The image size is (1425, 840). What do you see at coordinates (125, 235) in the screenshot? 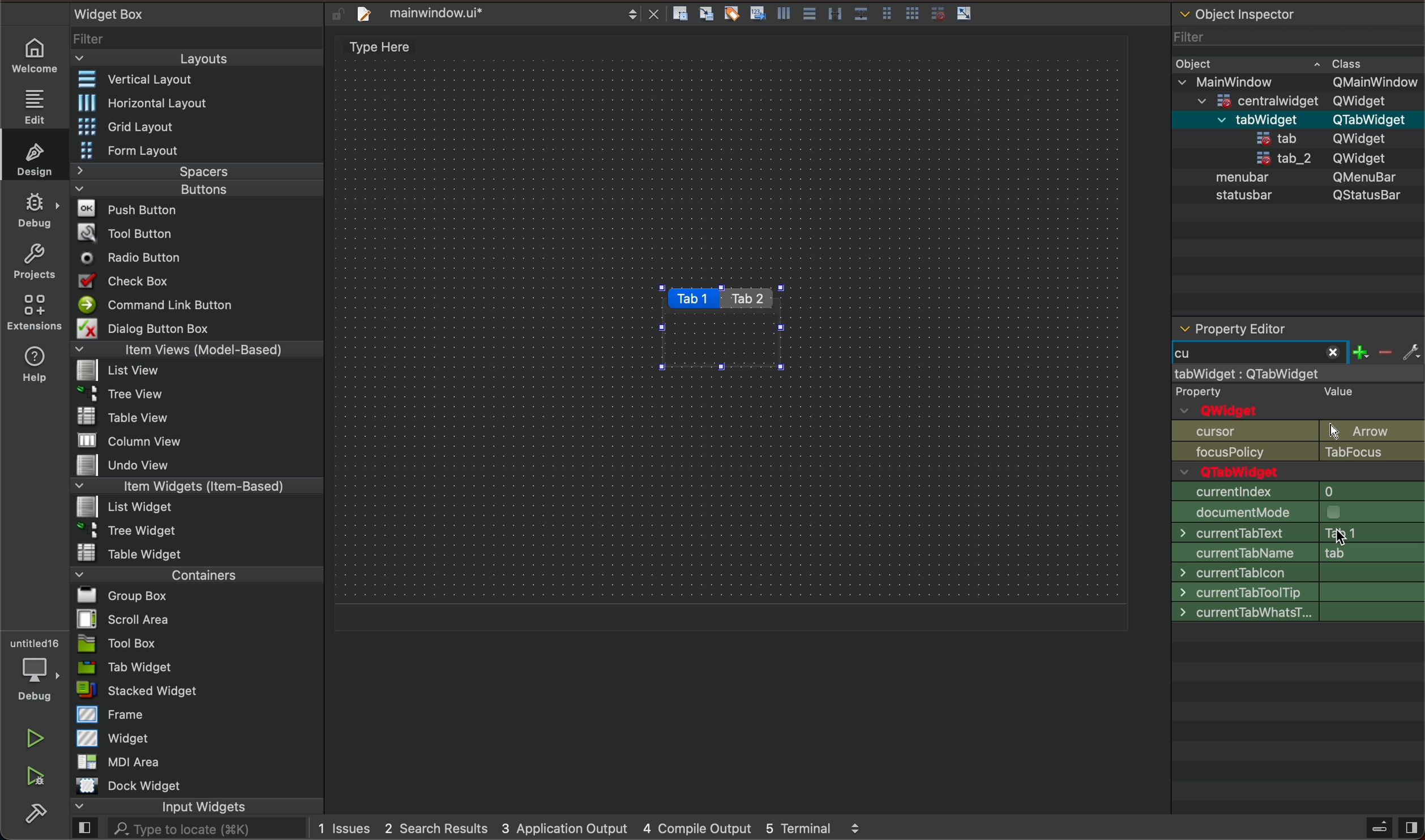
I see `Tool Button` at bounding box center [125, 235].